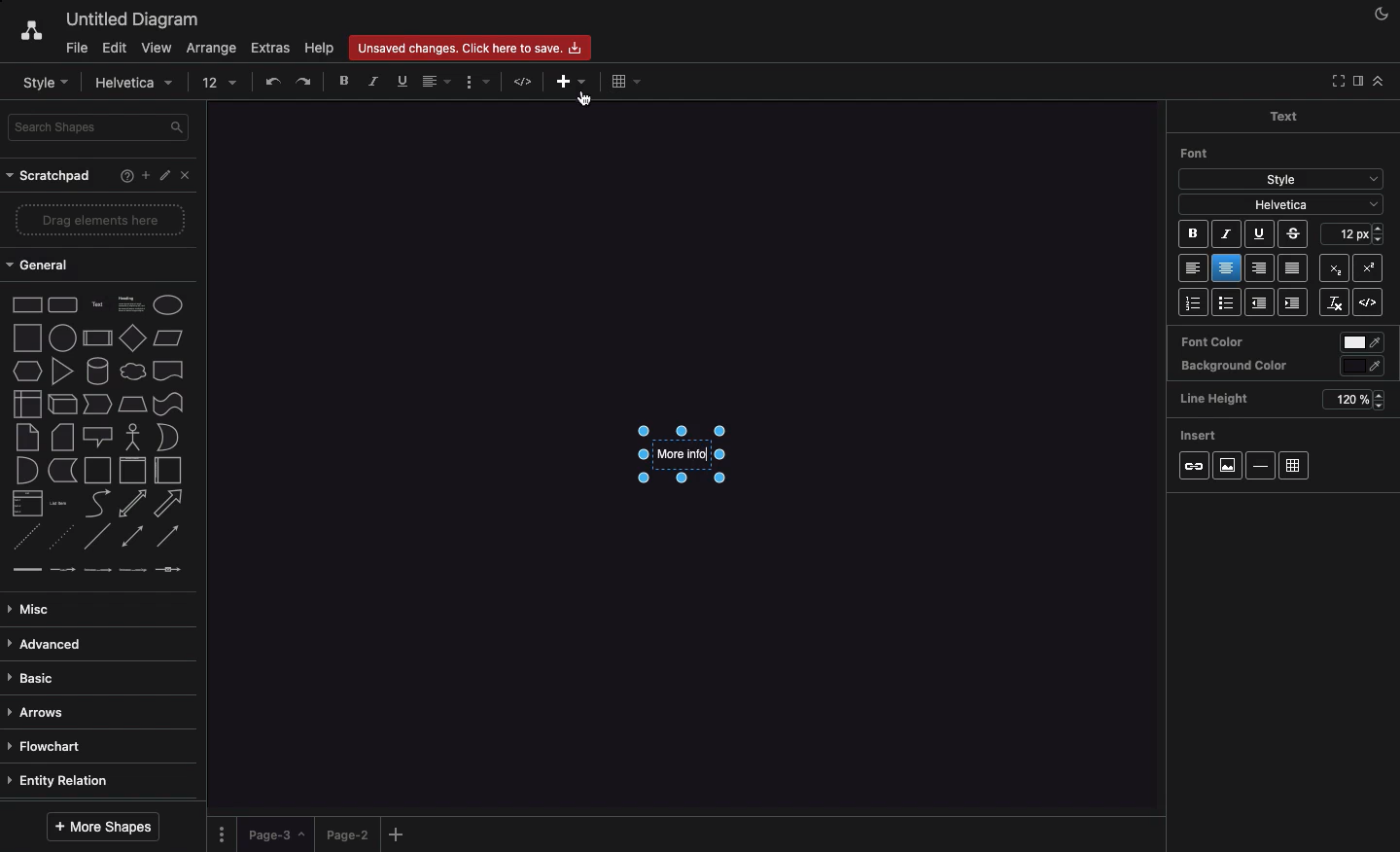 This screenshot has height=852, width=1400. I want to click on Align, so click(438, 84).